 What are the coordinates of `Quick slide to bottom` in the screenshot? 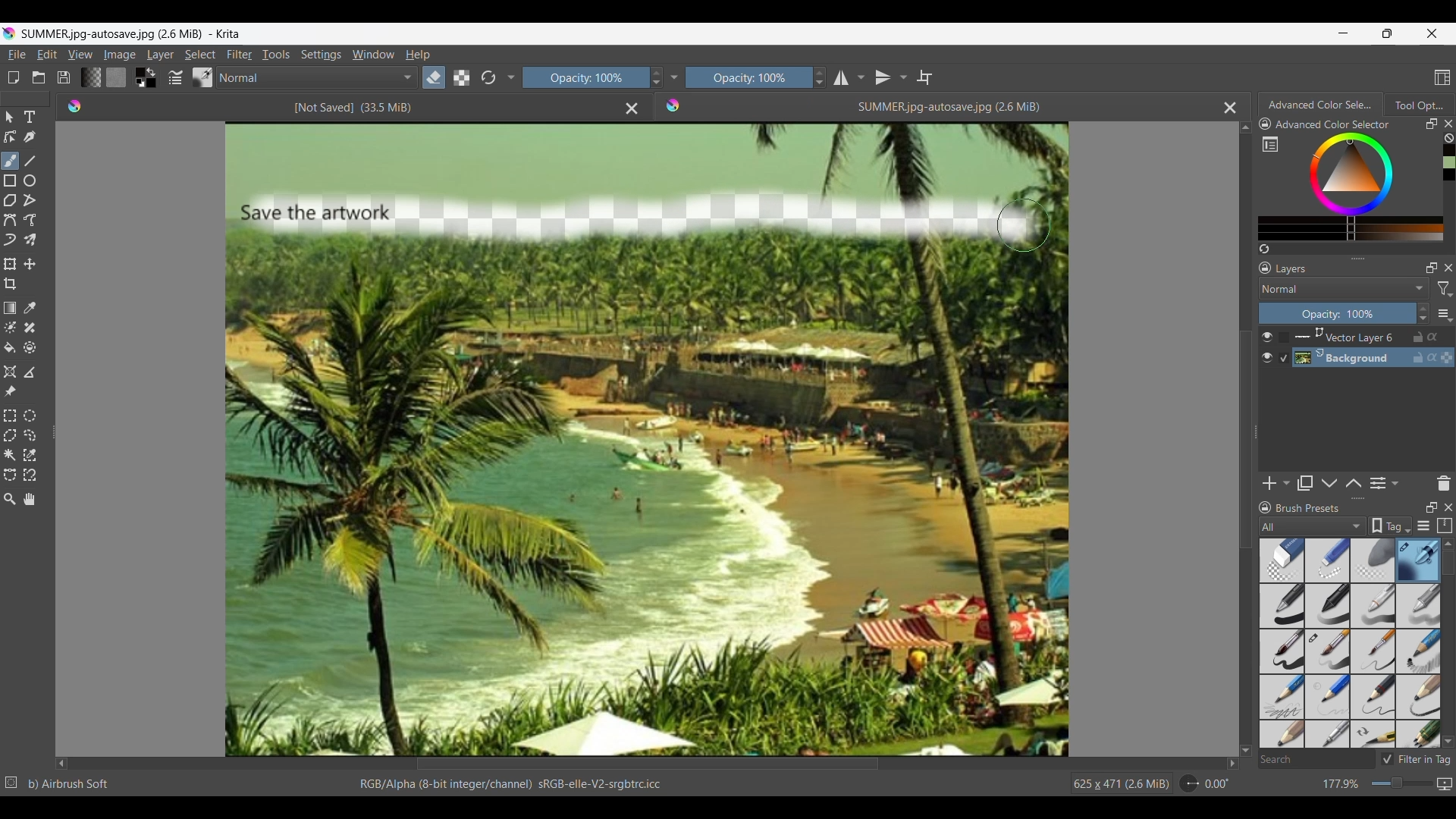 It's located at (1245, 751).